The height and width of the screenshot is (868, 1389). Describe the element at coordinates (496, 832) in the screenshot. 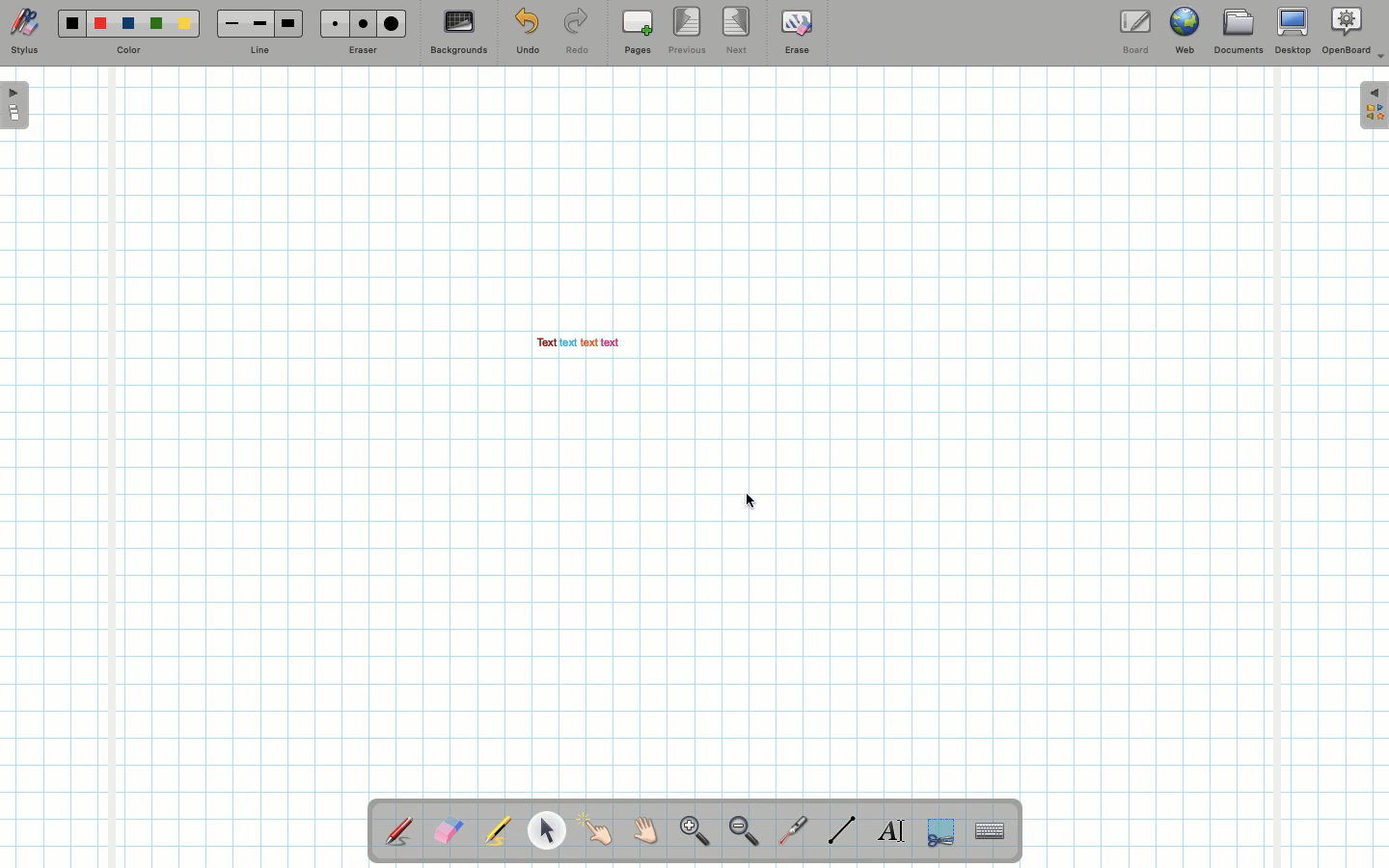

I see `Highlighter` at that location.